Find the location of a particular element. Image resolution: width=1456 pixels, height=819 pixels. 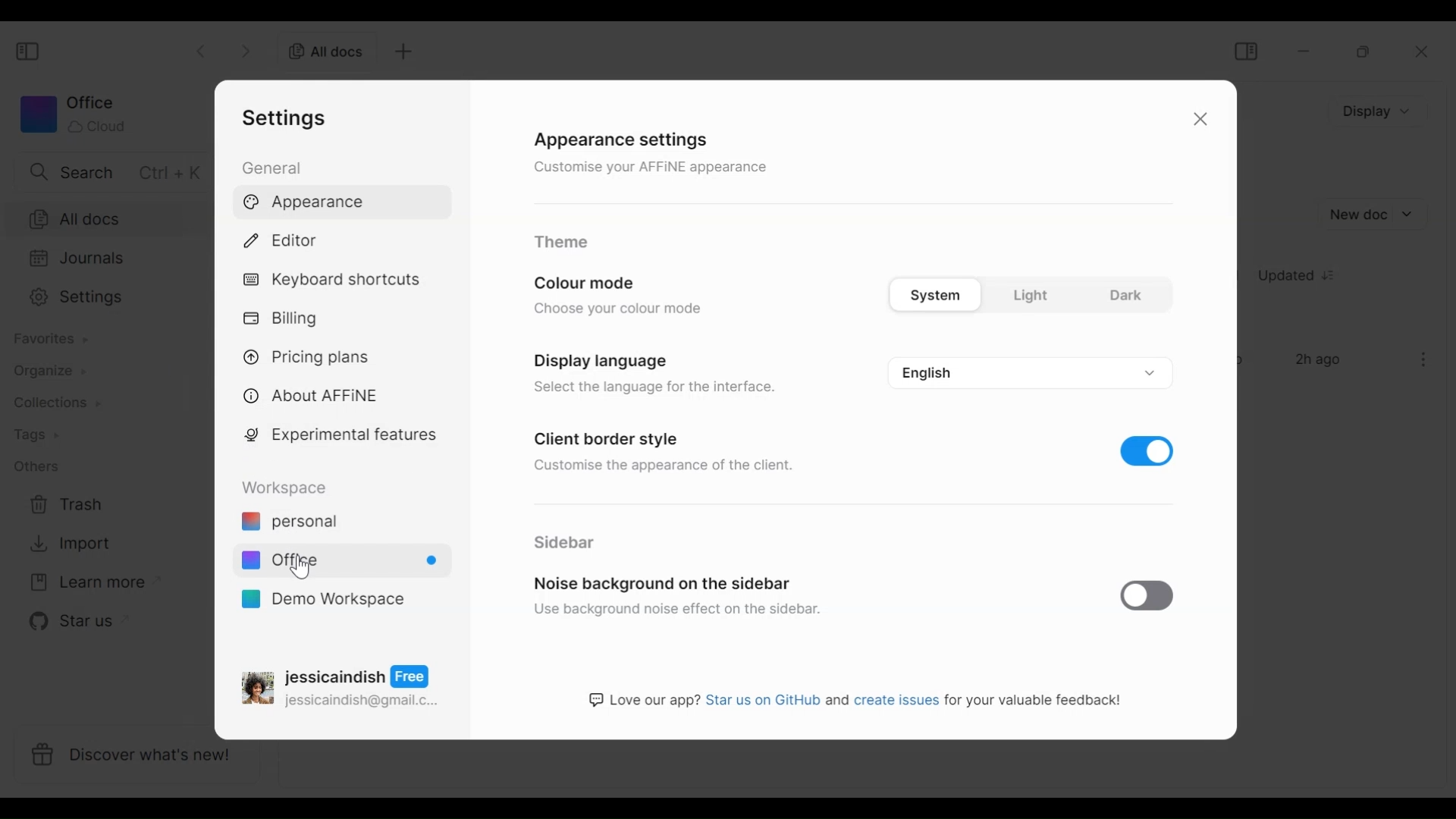

Use background noise effect on the sidebar. is located at coordinates (679, 610).